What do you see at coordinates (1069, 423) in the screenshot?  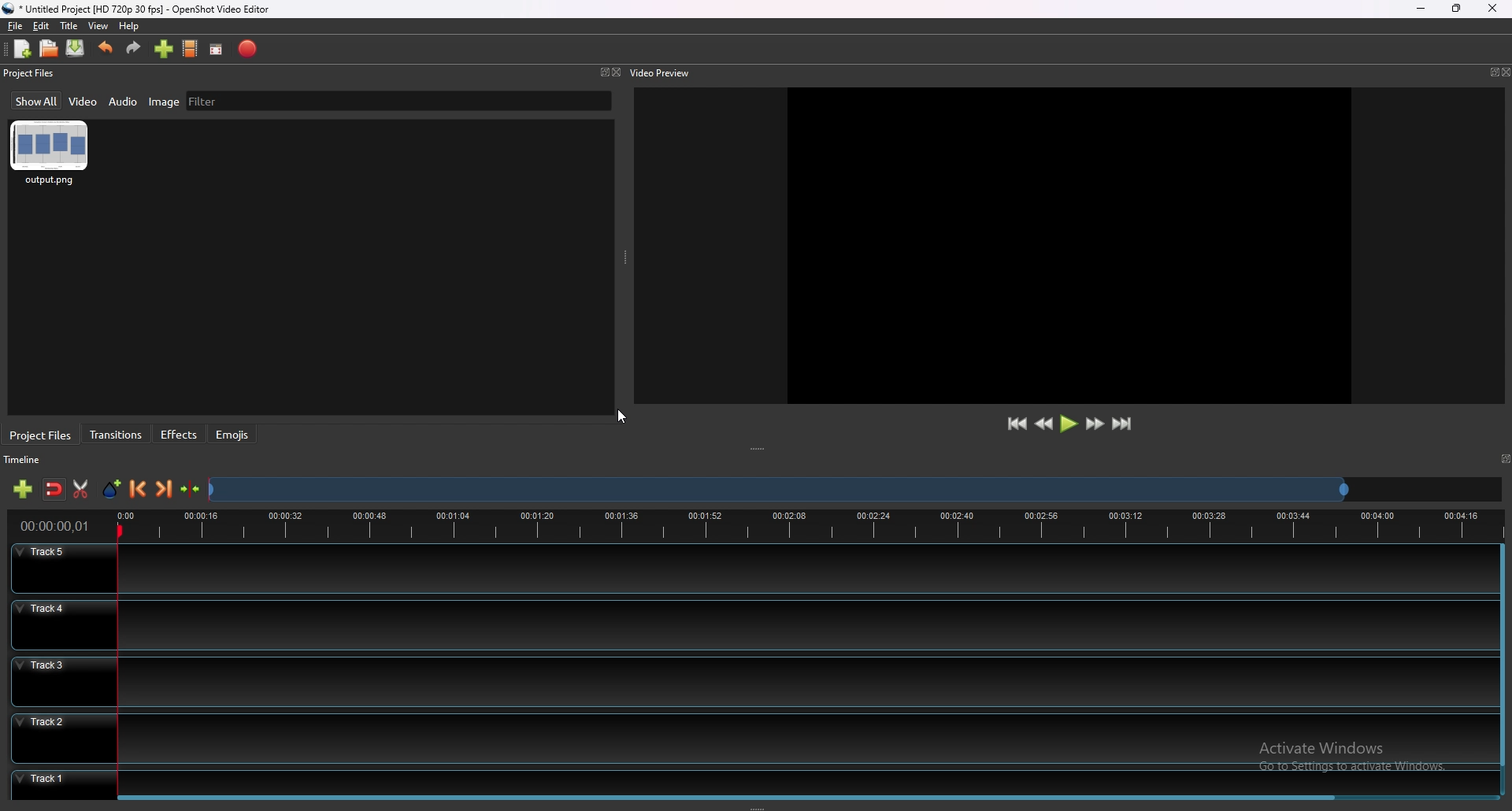 I see `play` at bounding box center [1069, 423].